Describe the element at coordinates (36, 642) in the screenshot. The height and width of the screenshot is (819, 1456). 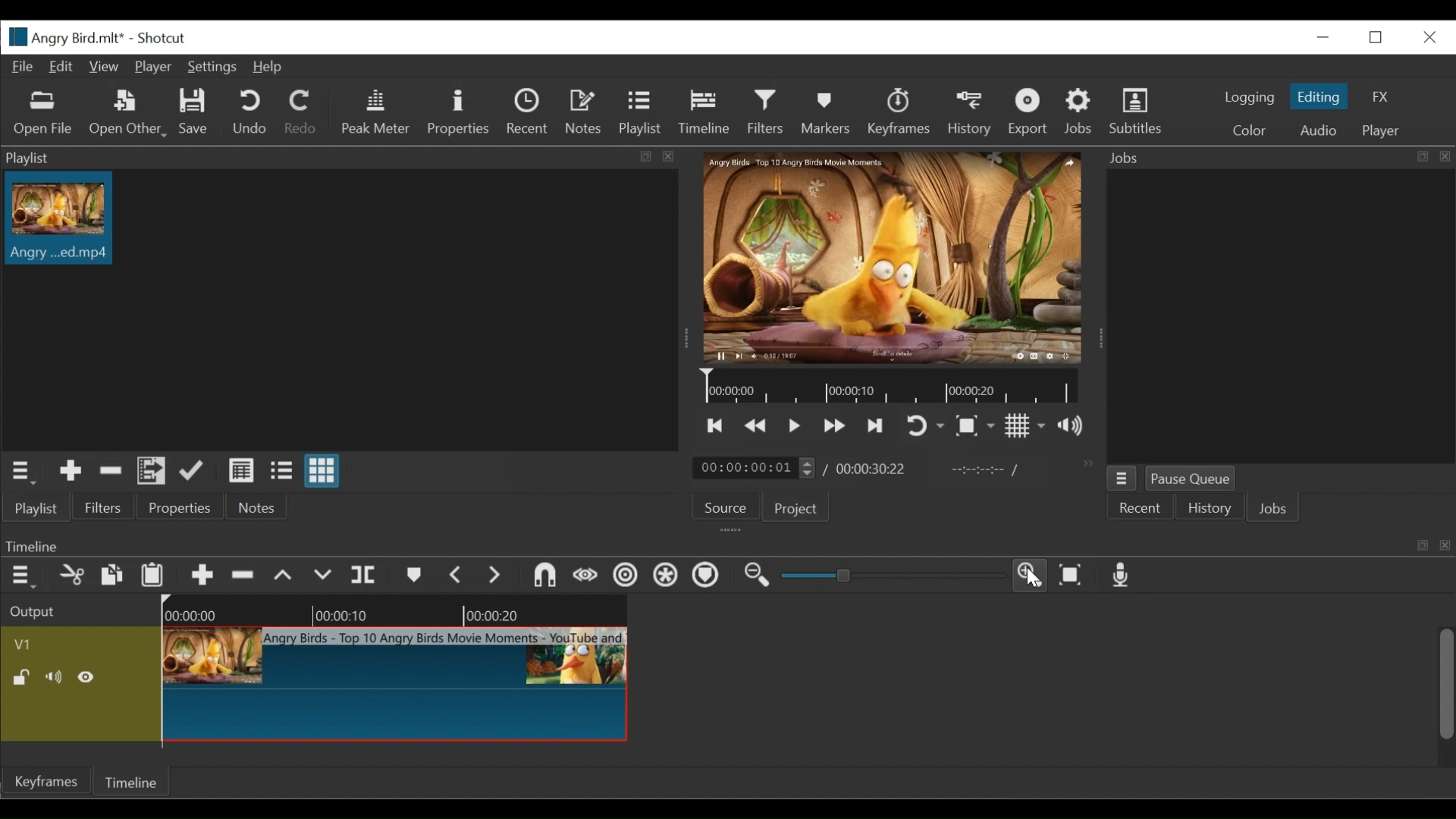
I see `Video track Name` at that location.